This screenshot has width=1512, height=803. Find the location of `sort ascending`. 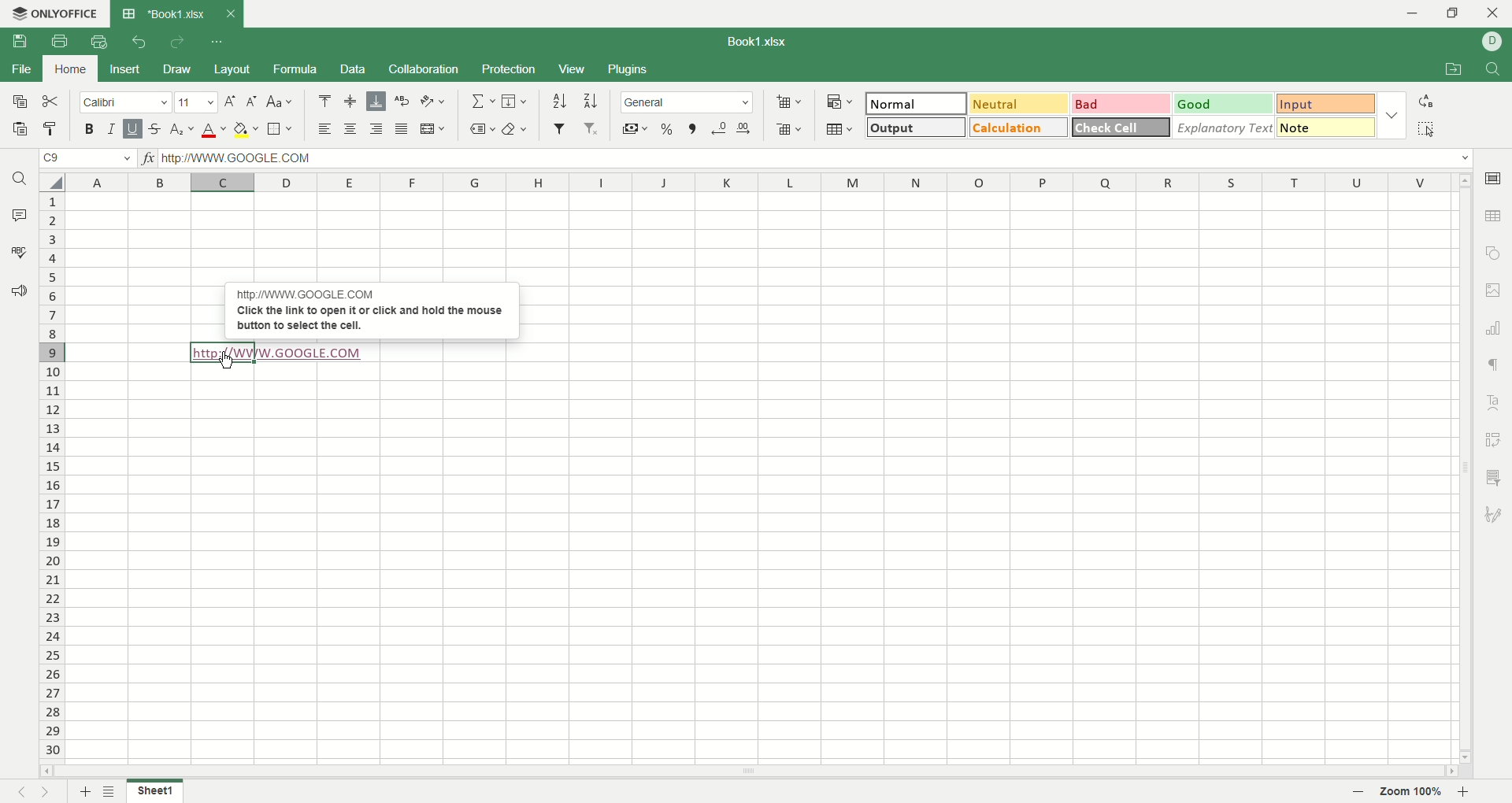

sort ascending is located at coordinates (559, 100).